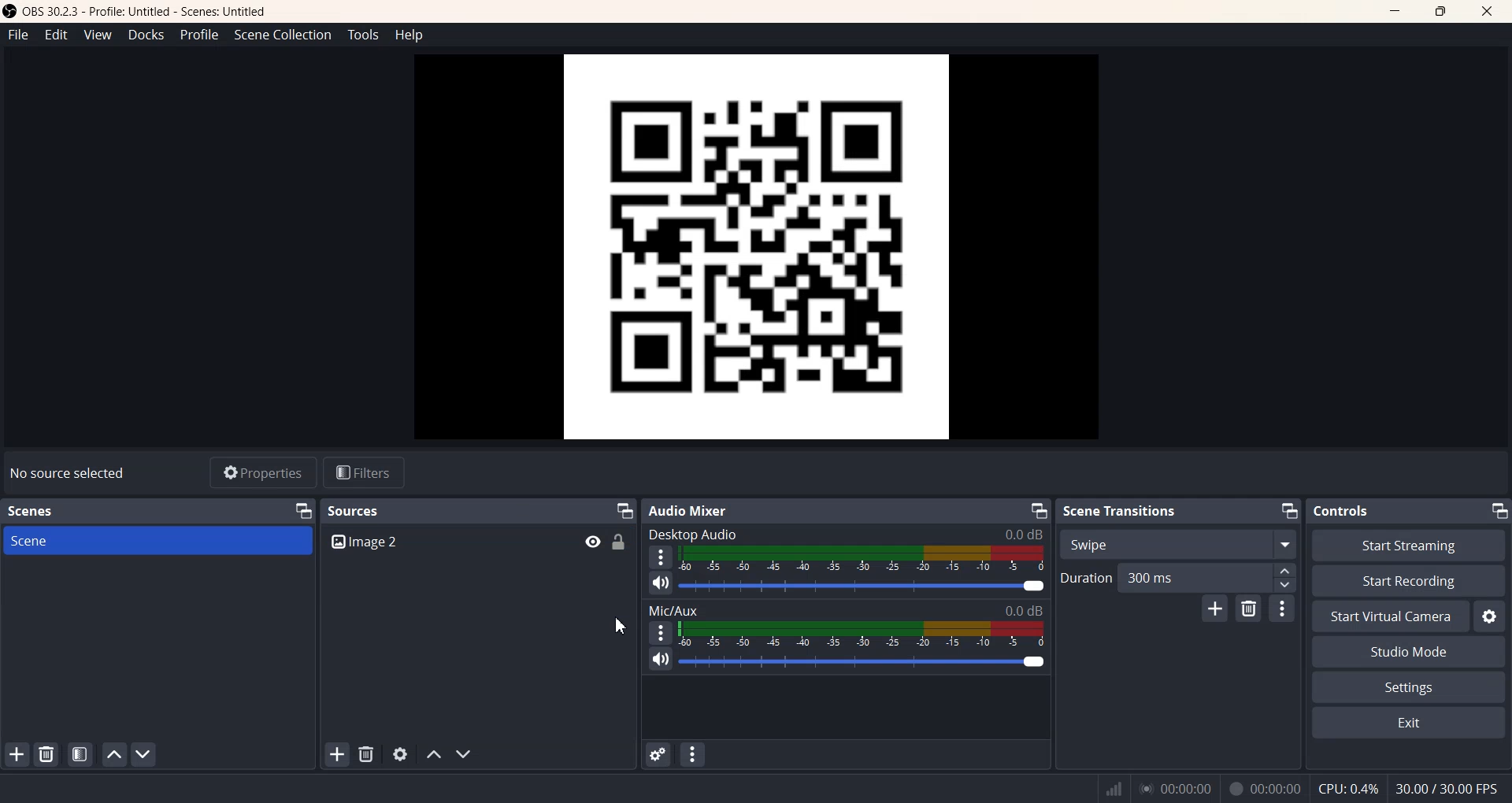 This screenshot has height=803, width=1512. What do you see at coordinates (697, 753) in the screenshot?
I see `Audio mixer menu` at bounding box center [697, 753].